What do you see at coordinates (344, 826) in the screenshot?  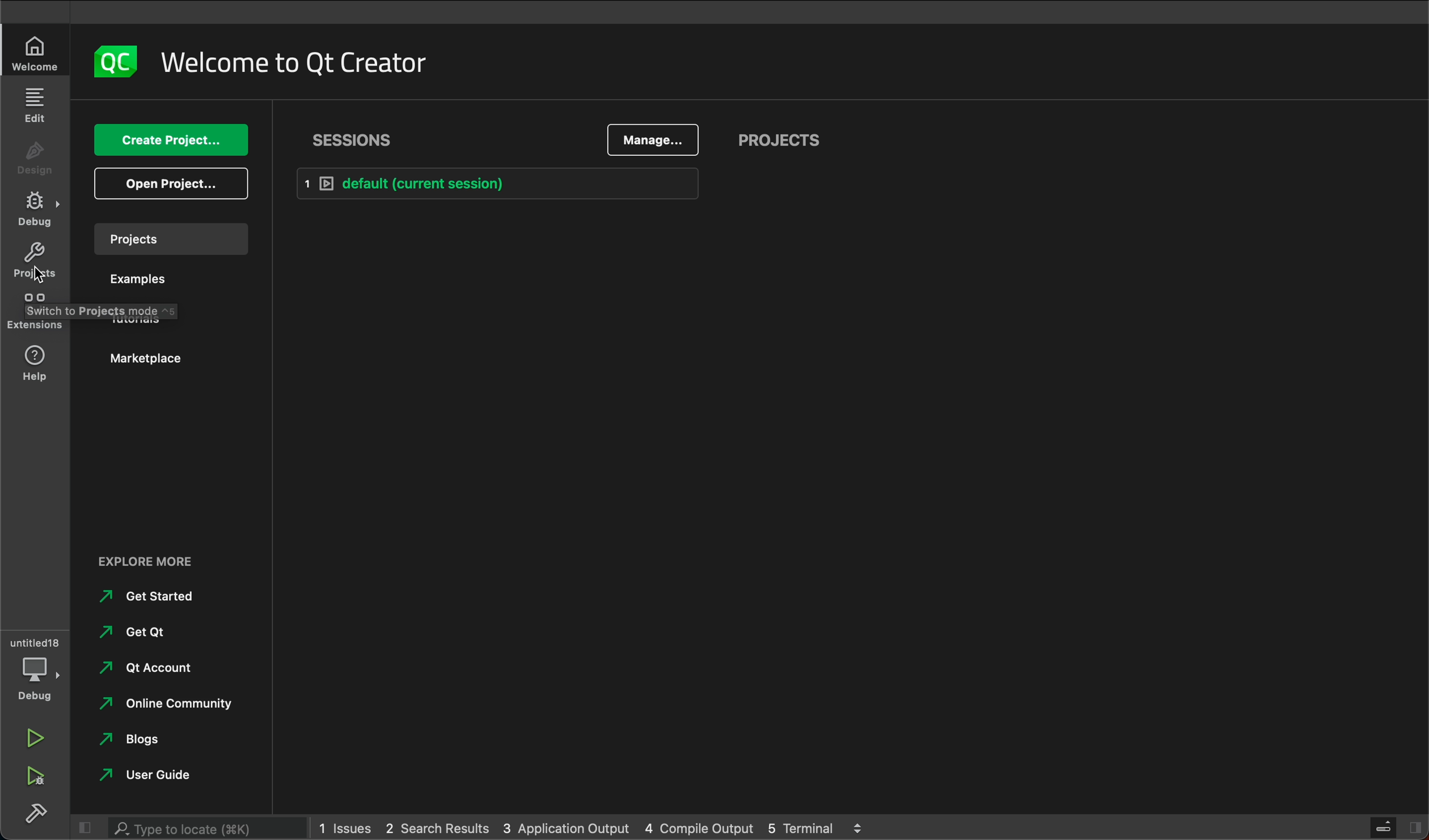 I see `1 Issues` at bounding box center [344, 826].